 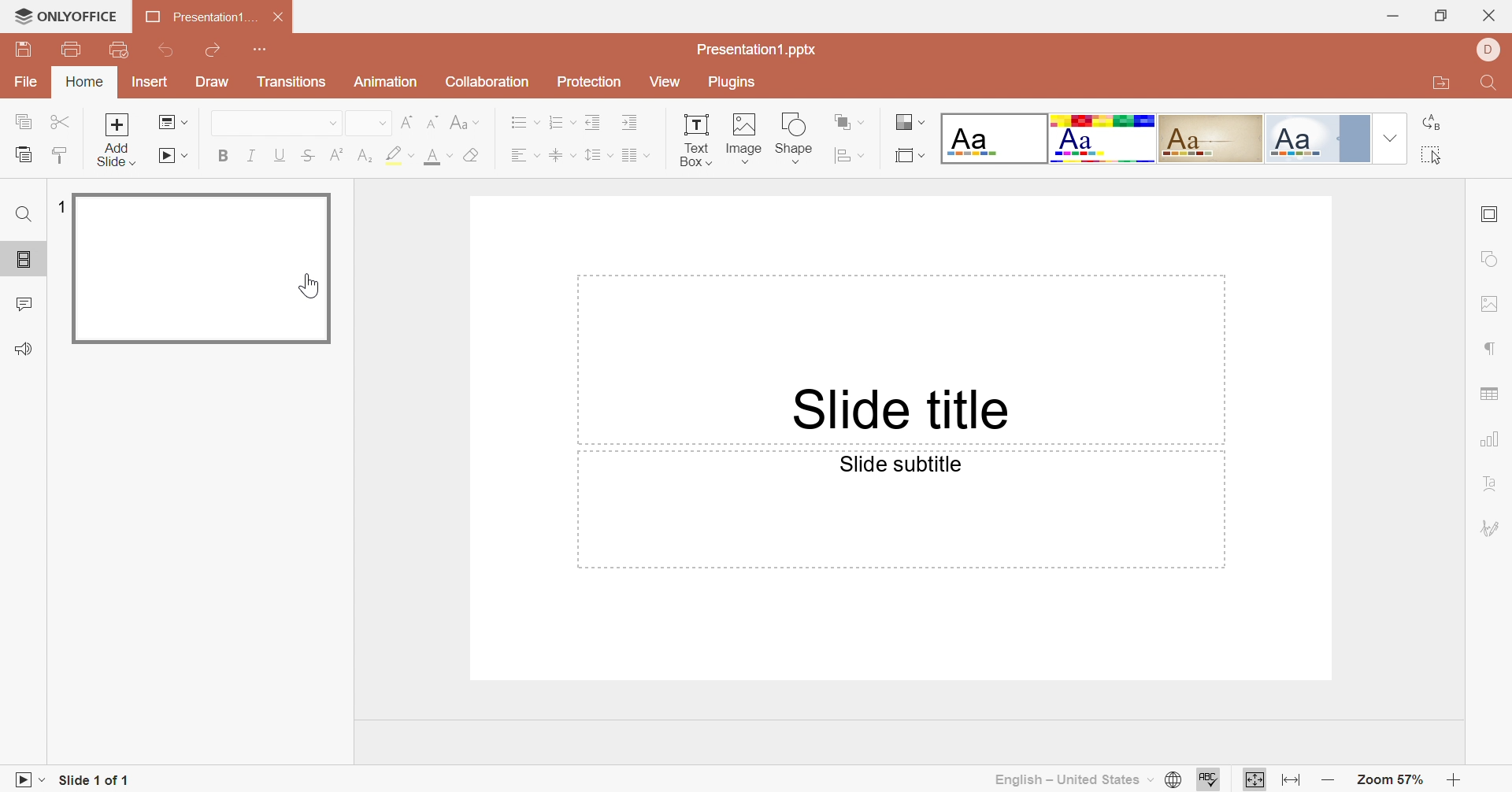 What do you see at coordinates (168, 50) in the screenshot?
I see `Undo` at bounding box center [168, 50].